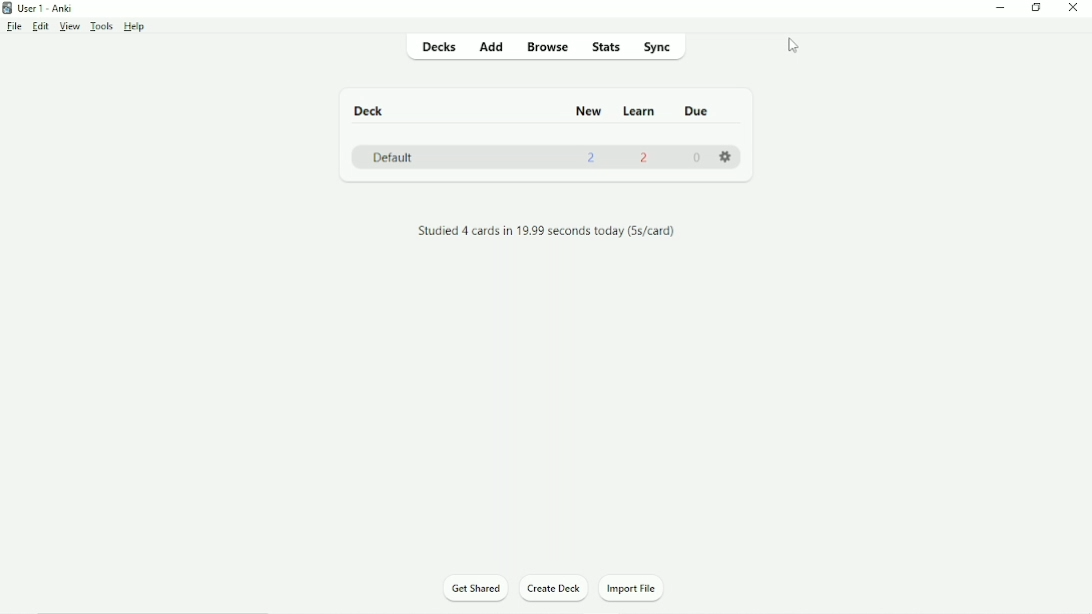 This screenshot has width=1092, height=614. What do you see at coordinates (134, 27) in the screenshot?
I see `Help` at bounding box center [134, 27].